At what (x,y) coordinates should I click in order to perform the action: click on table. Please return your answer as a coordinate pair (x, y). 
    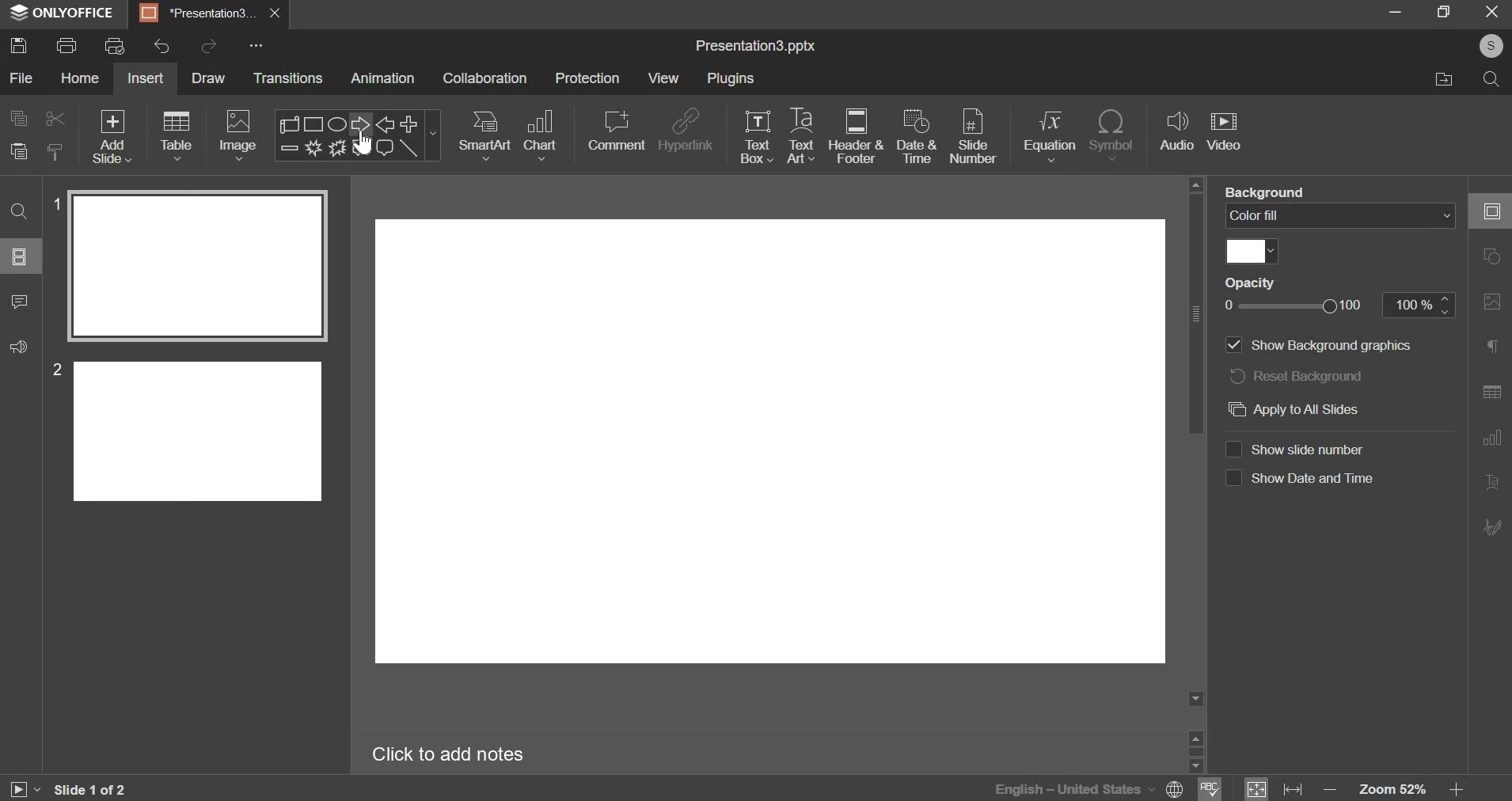
    Looking at the image, I should click on (178, 135).